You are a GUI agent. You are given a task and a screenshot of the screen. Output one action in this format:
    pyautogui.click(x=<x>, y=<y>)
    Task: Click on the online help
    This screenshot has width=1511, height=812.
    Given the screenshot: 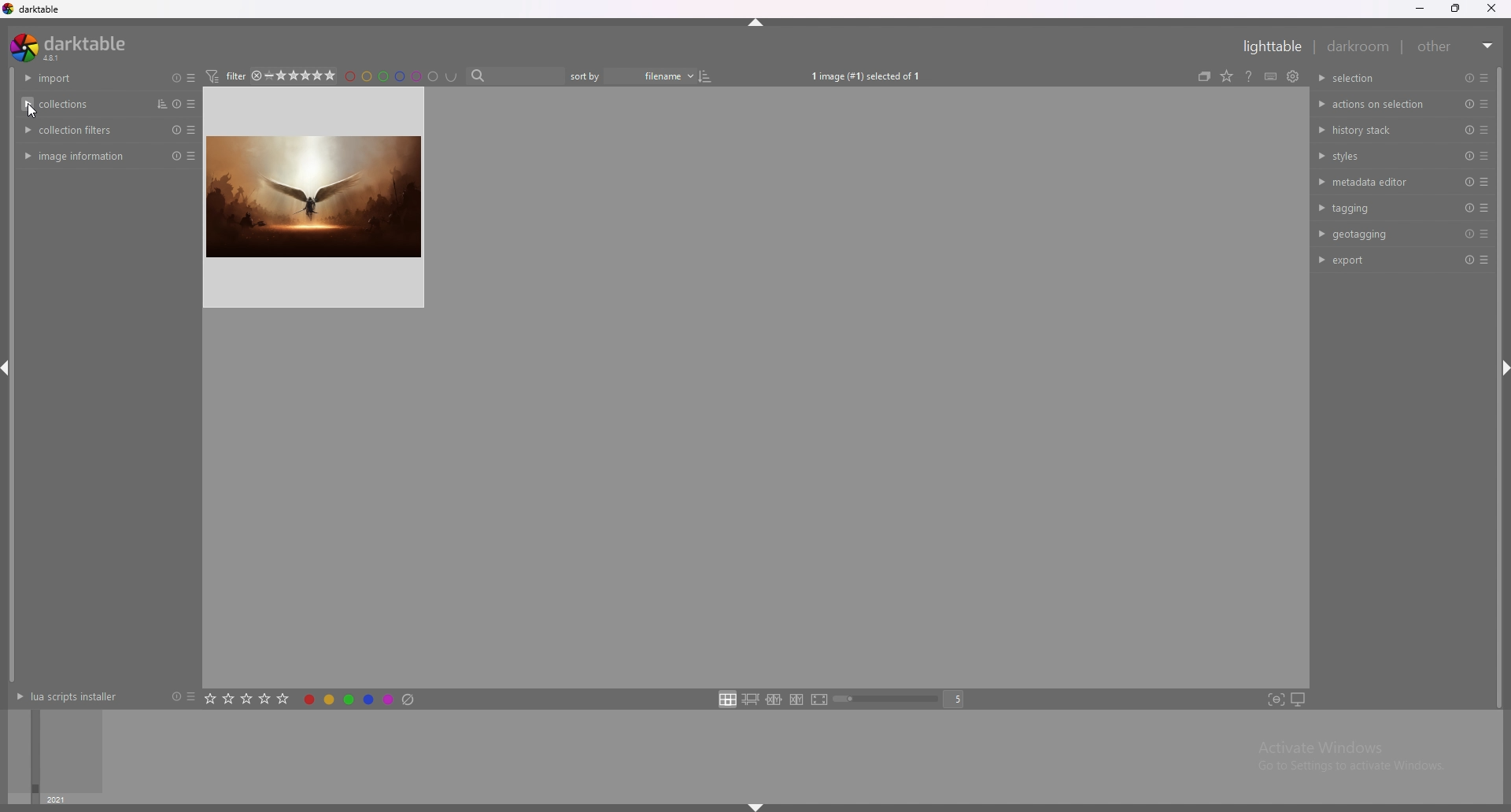 What is the action you would take?
    pyautogui.click(x=1269, y=76)
    